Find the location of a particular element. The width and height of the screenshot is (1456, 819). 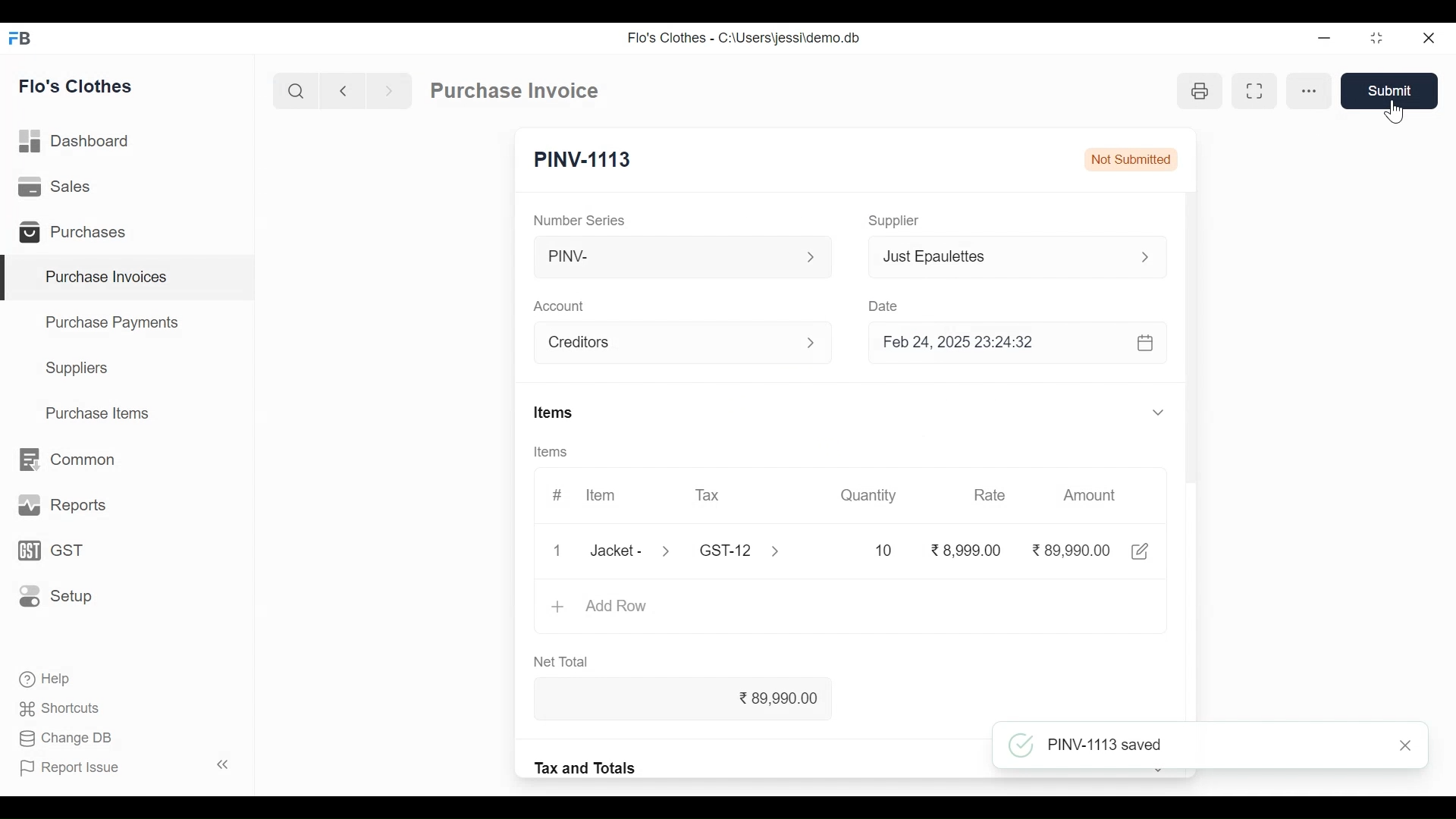

Search is located at coordinates (297, 90).